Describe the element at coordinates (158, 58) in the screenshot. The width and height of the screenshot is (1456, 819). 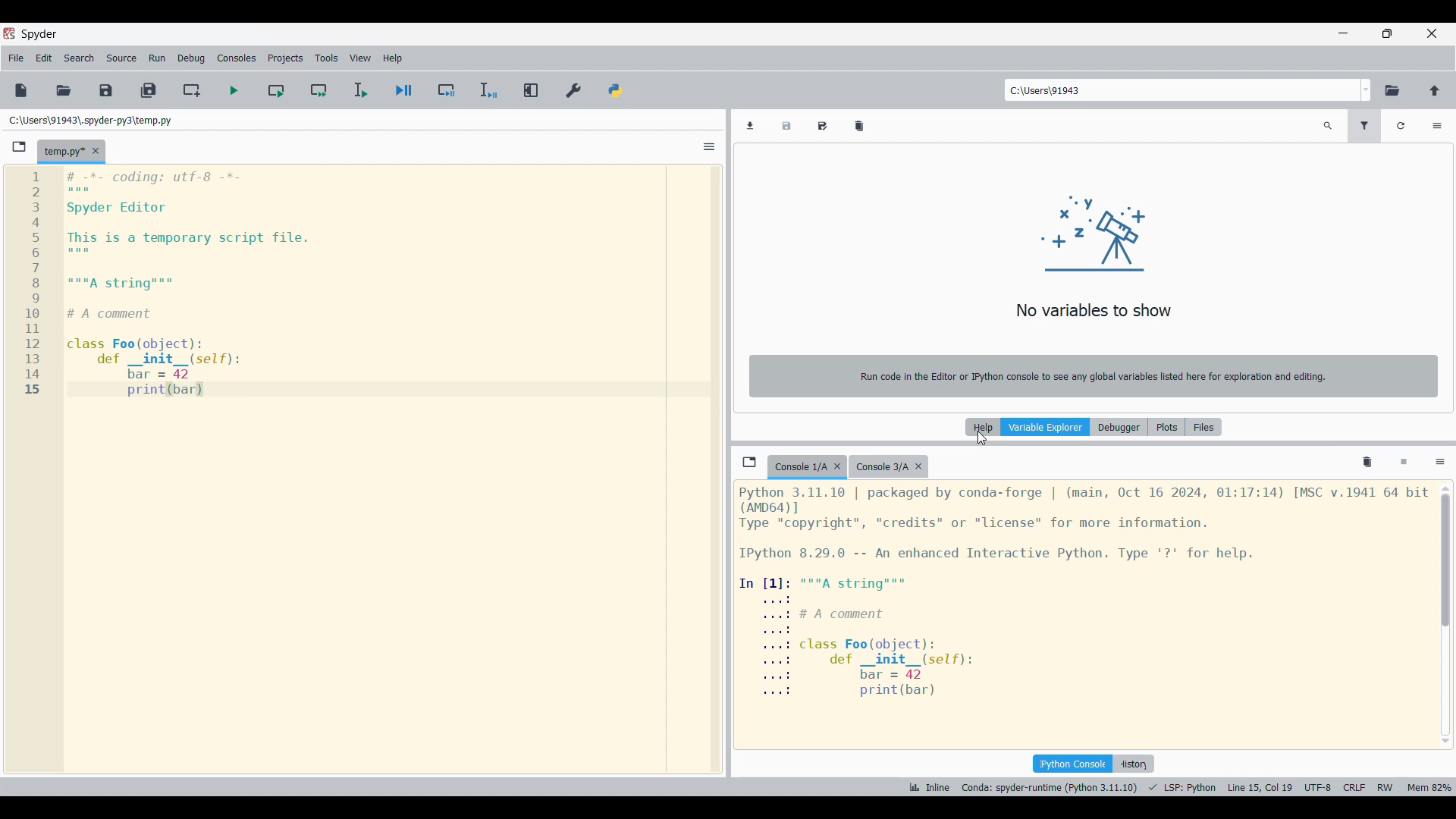
I see `Run menu` at that location.